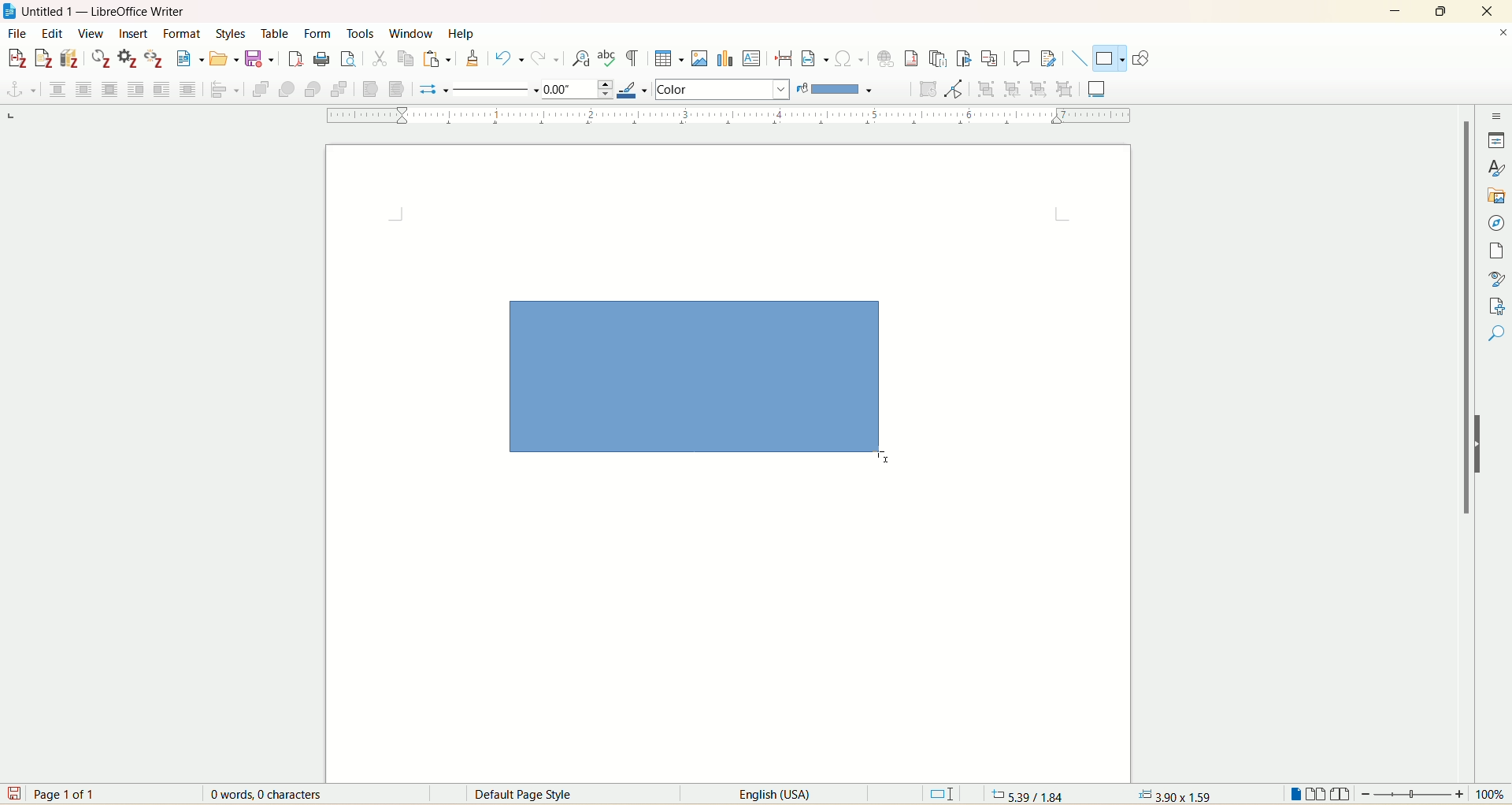  Describe the element at coordinates (312, 90) in the screenshot. I see `back one` at that location.